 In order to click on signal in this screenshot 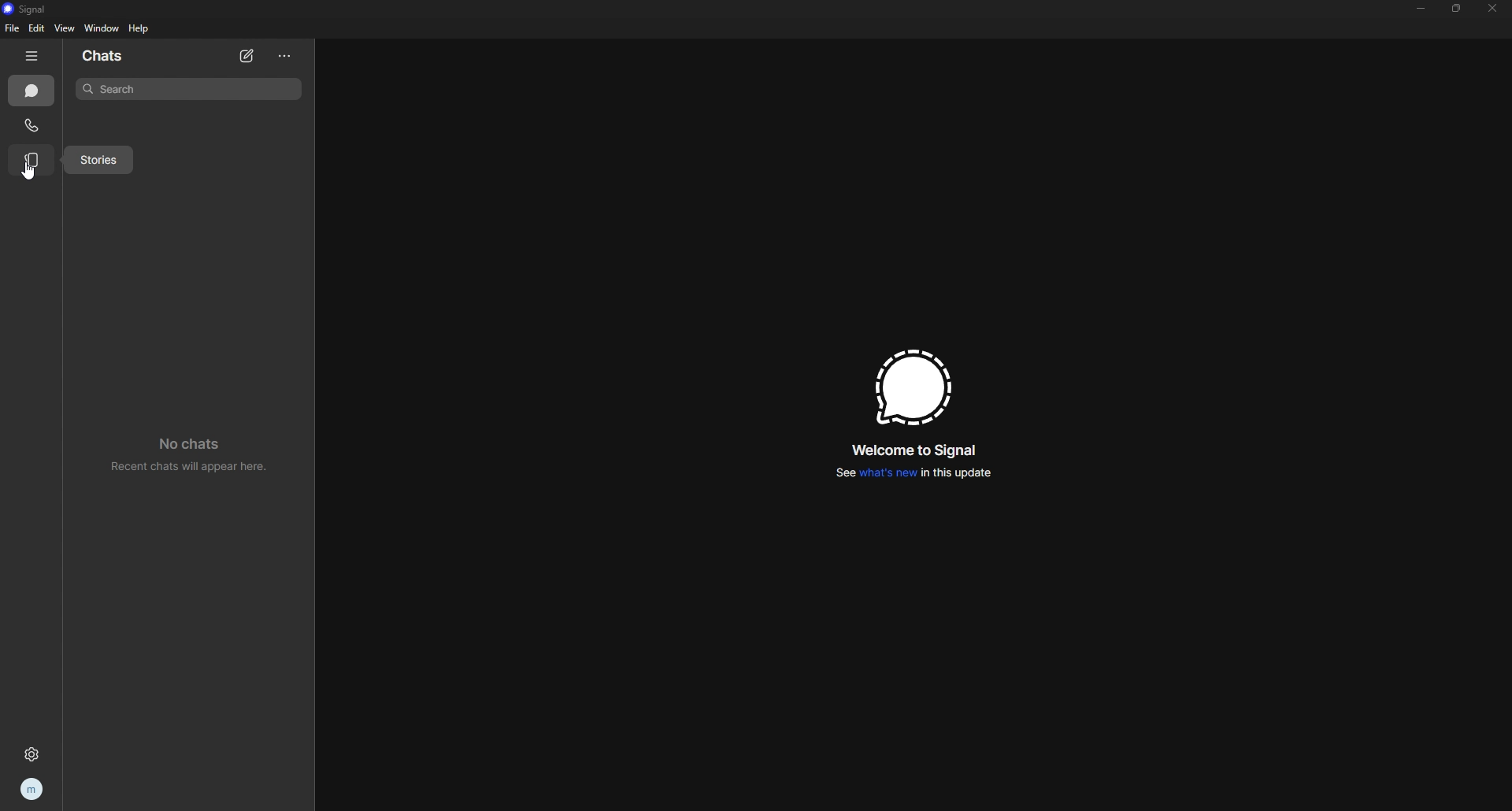, I will do `click(29, 9)`.